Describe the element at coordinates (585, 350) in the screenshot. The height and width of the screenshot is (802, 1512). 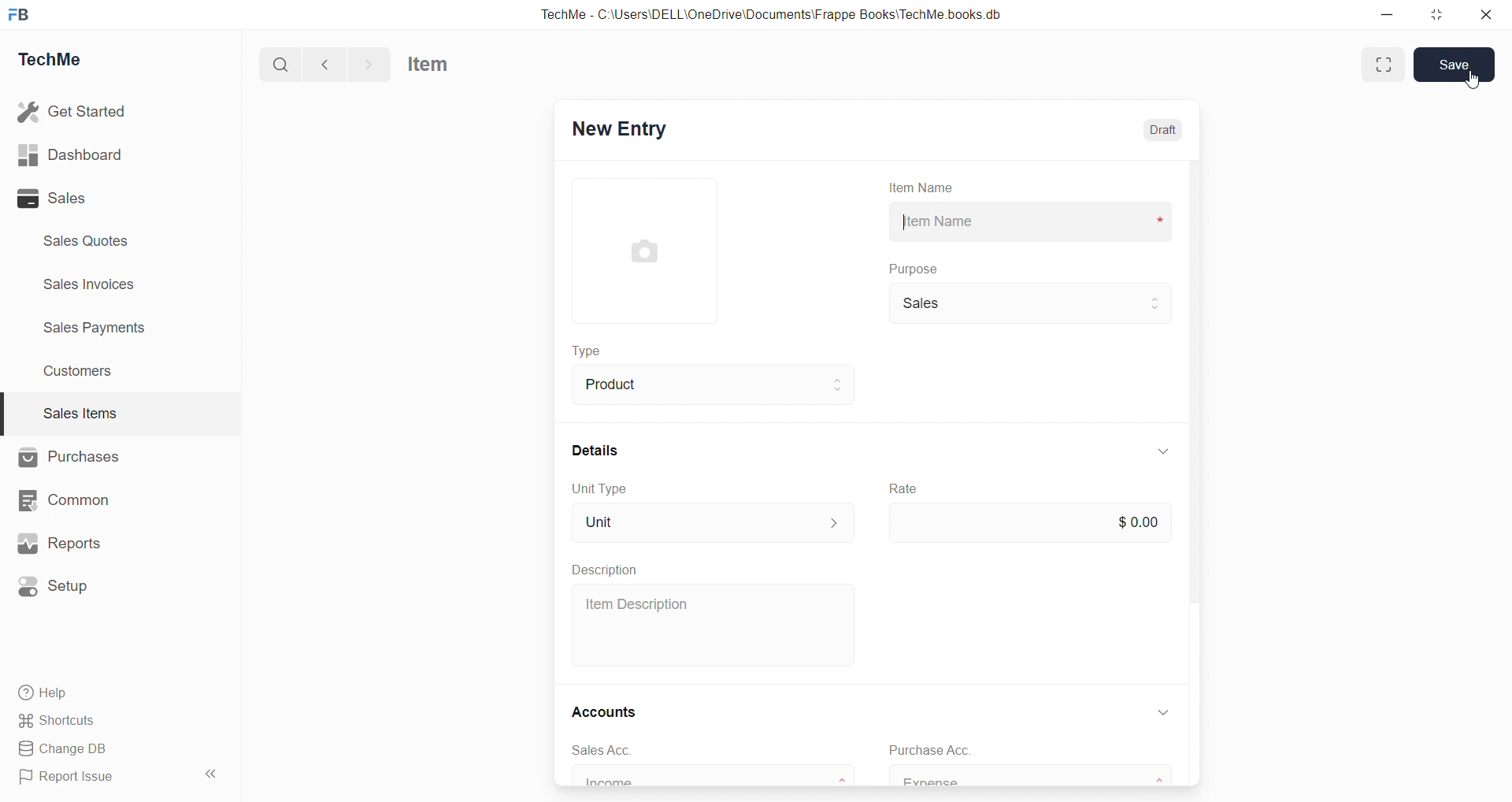
I see `Type` at that location.